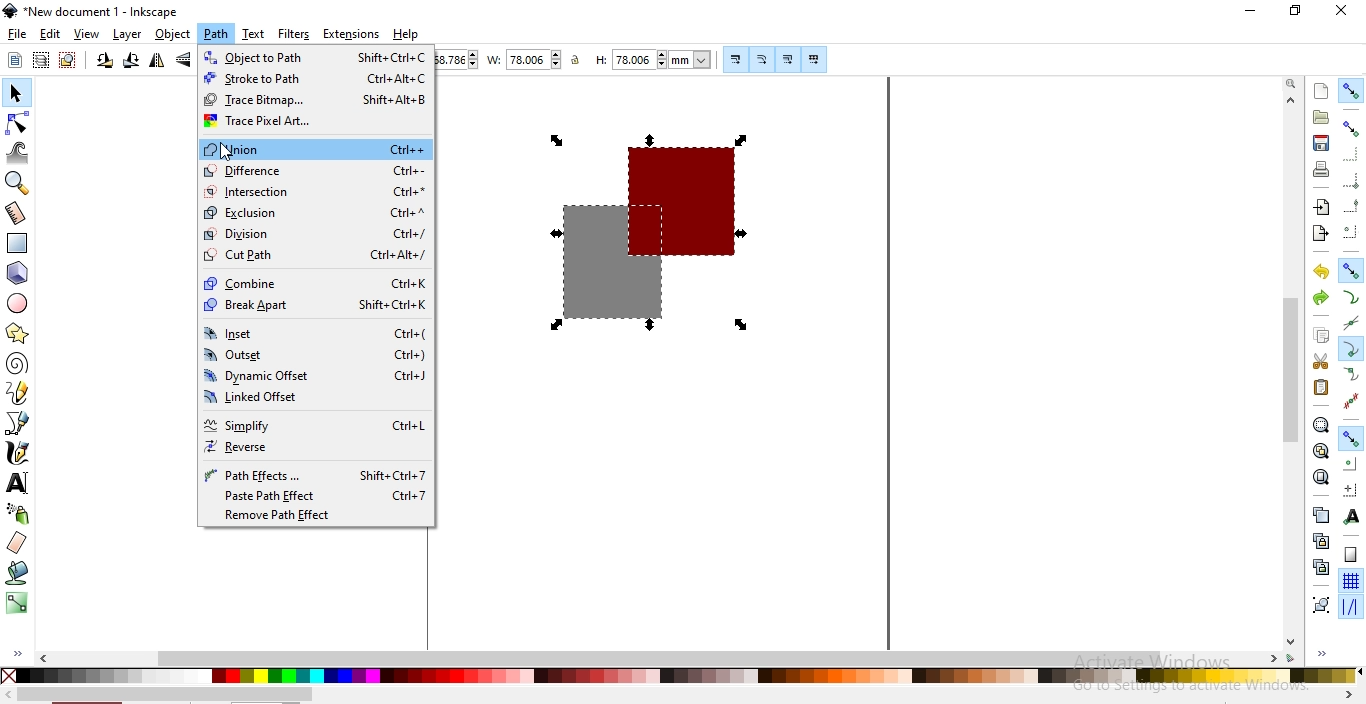  Describe the element at coordinates (1320, 426) in the screenshot. I see `zoom to fit selection` at that location.